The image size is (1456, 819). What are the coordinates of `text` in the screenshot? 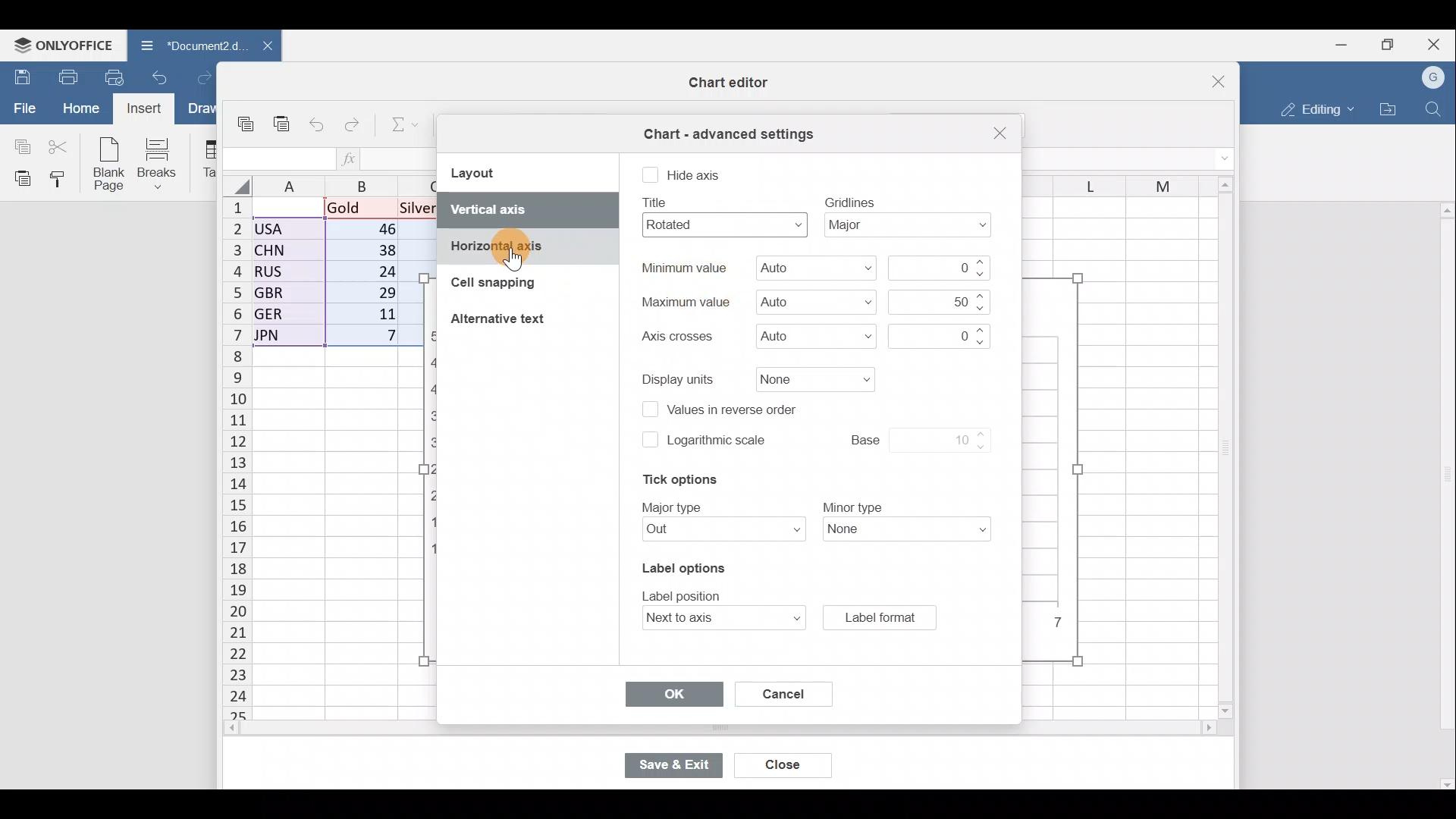 It's located at (679, 378).